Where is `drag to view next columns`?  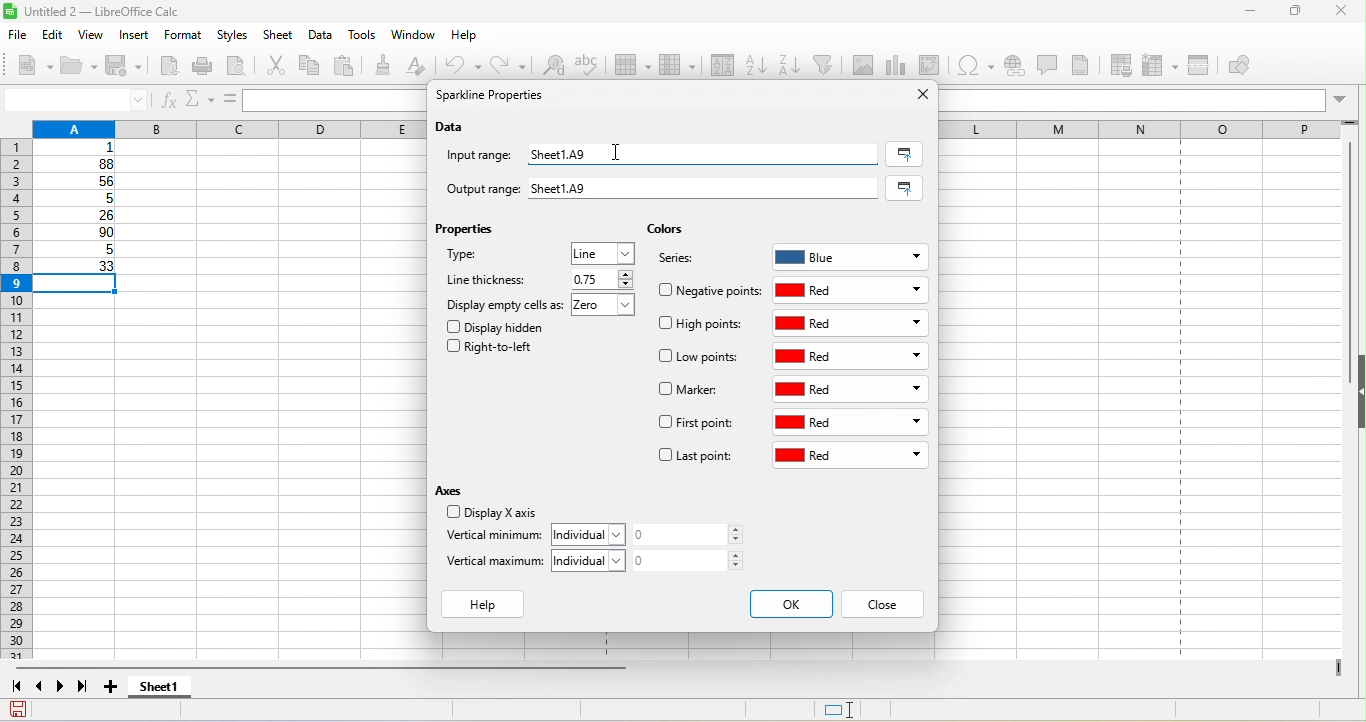 drag to view next columns is located at coordinates (1339, 668).